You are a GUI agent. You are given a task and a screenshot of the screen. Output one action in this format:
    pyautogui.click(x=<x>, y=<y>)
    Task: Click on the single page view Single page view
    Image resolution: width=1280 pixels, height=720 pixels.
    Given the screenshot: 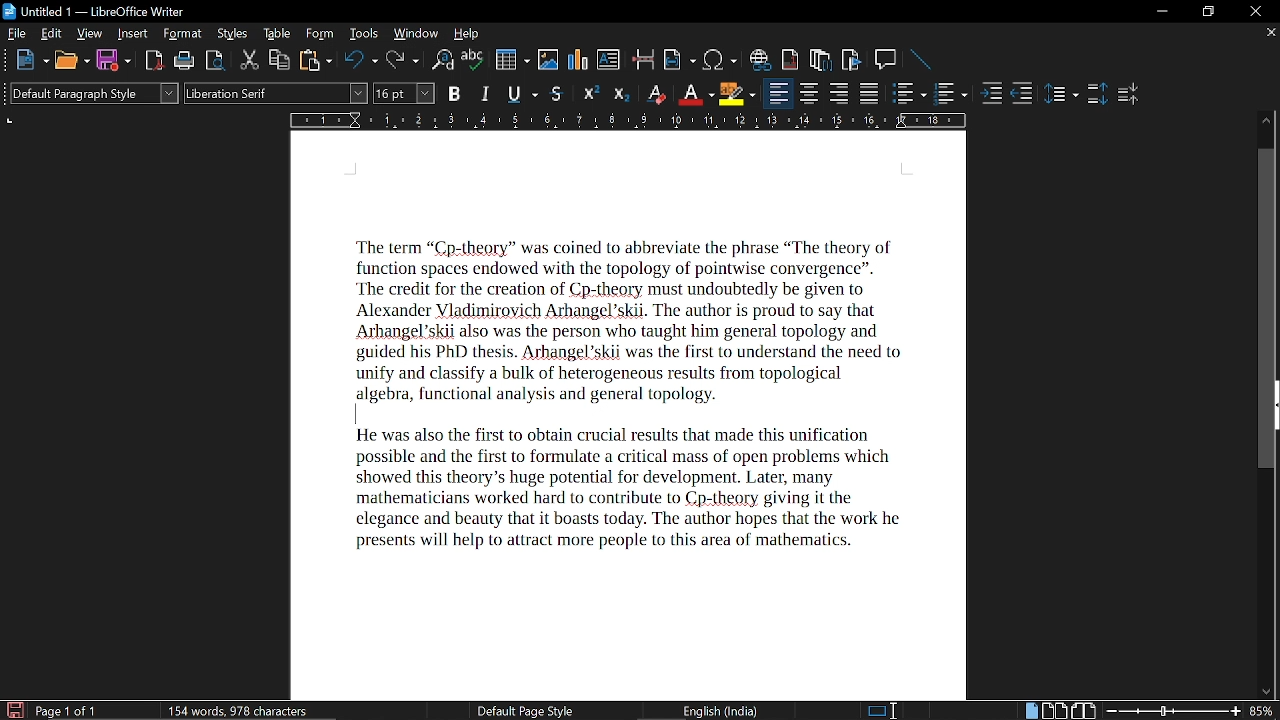 What is the action you would take?
    pyautogui.click(x=1033, y=710)
    